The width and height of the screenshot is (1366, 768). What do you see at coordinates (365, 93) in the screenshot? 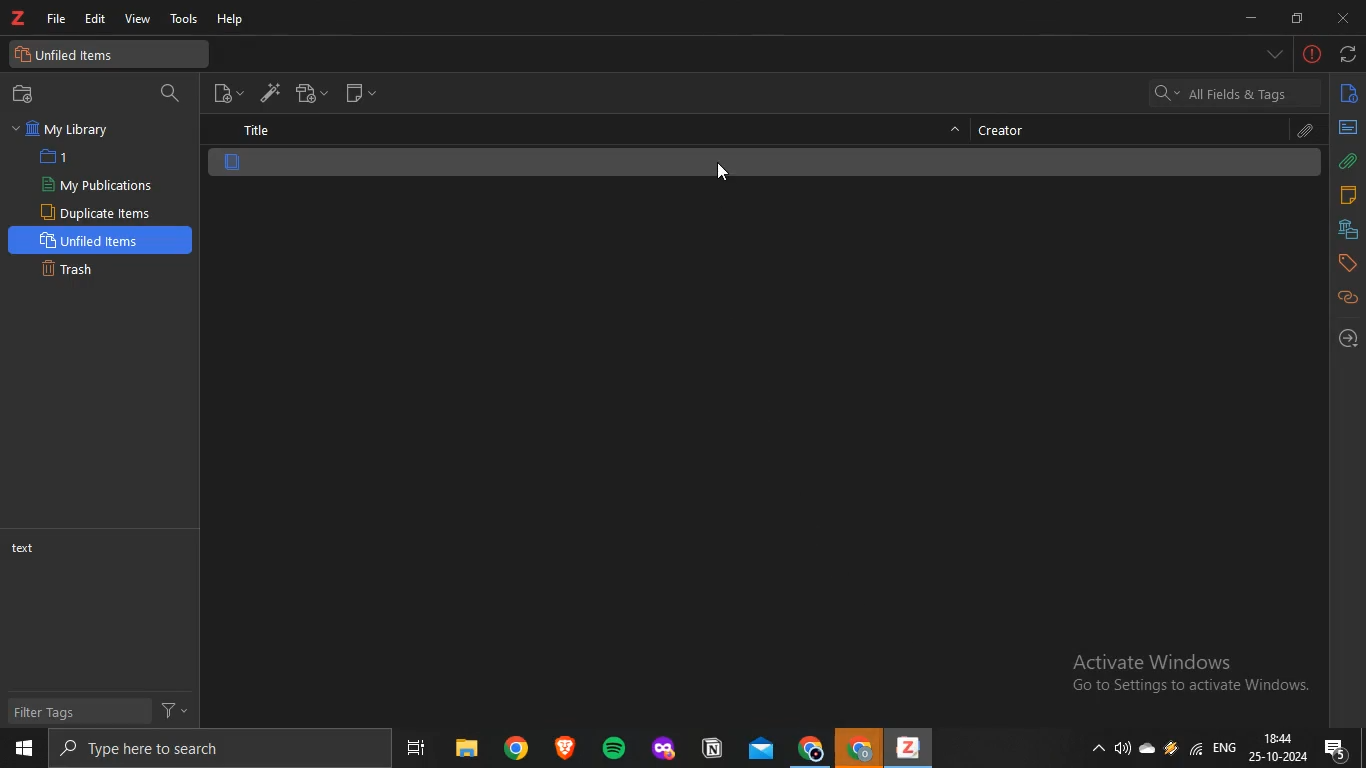
I see `new note` at bounding box center [365, 93].